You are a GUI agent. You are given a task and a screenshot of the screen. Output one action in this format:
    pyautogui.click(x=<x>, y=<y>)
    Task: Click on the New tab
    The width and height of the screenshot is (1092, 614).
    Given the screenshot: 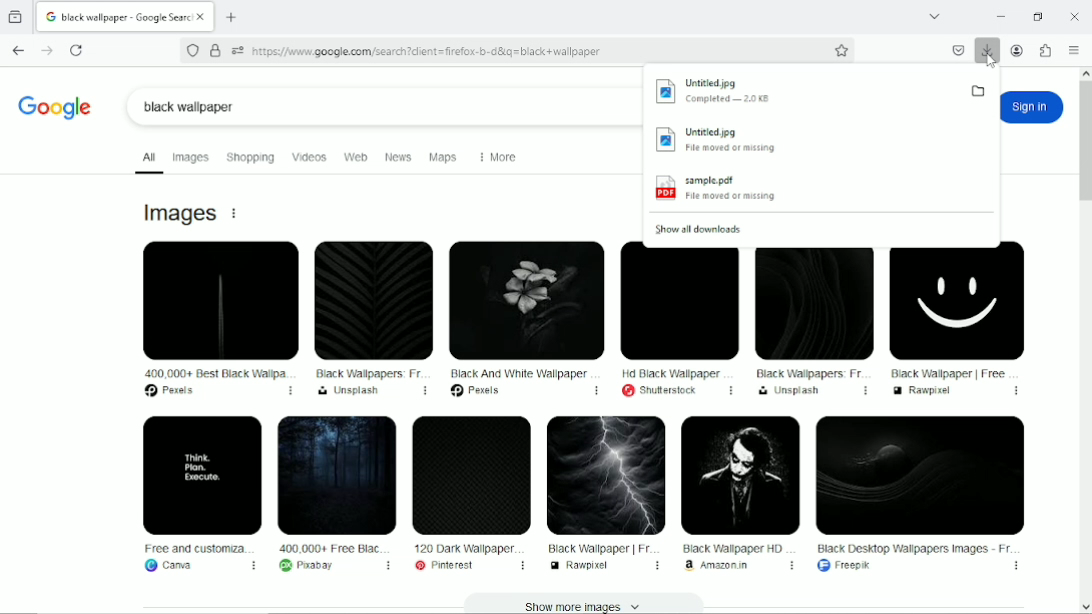 What is the action you would take?
    pyautogui.click(x=233, y=16)
    